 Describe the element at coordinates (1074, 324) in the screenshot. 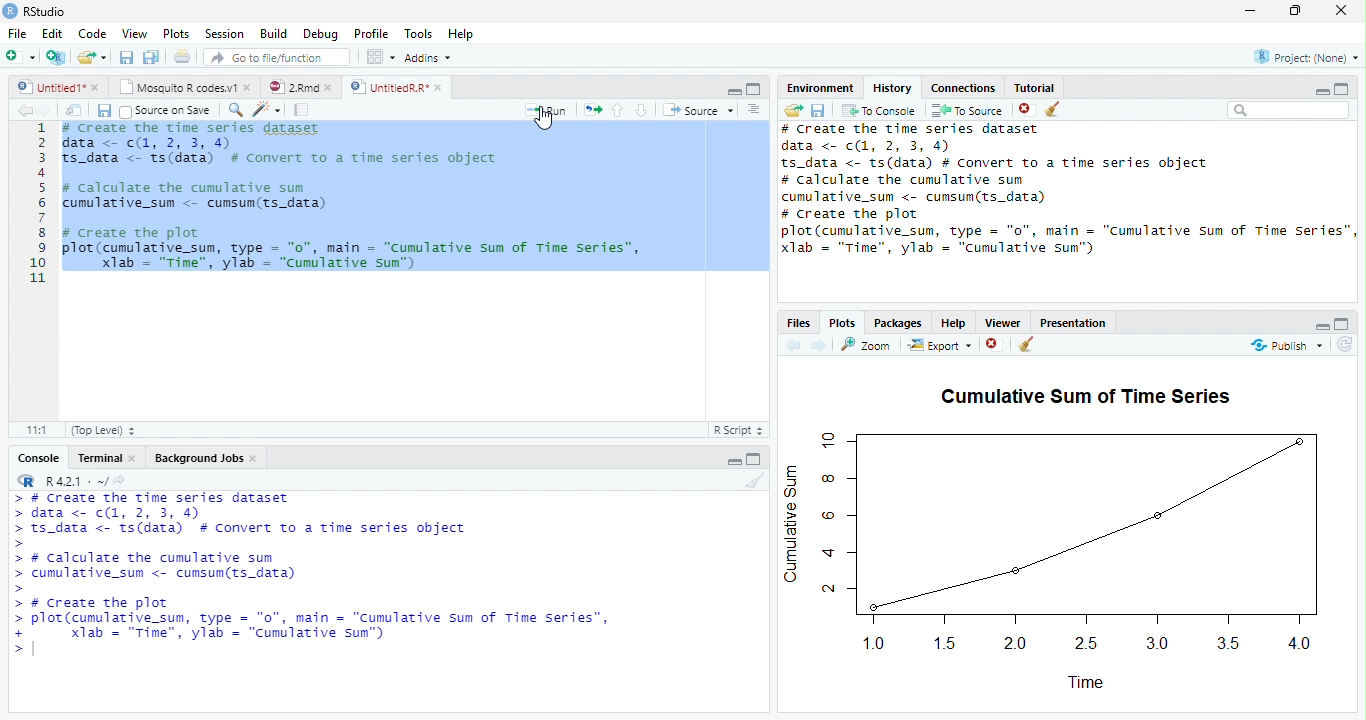

I see `Presentation` at that location.